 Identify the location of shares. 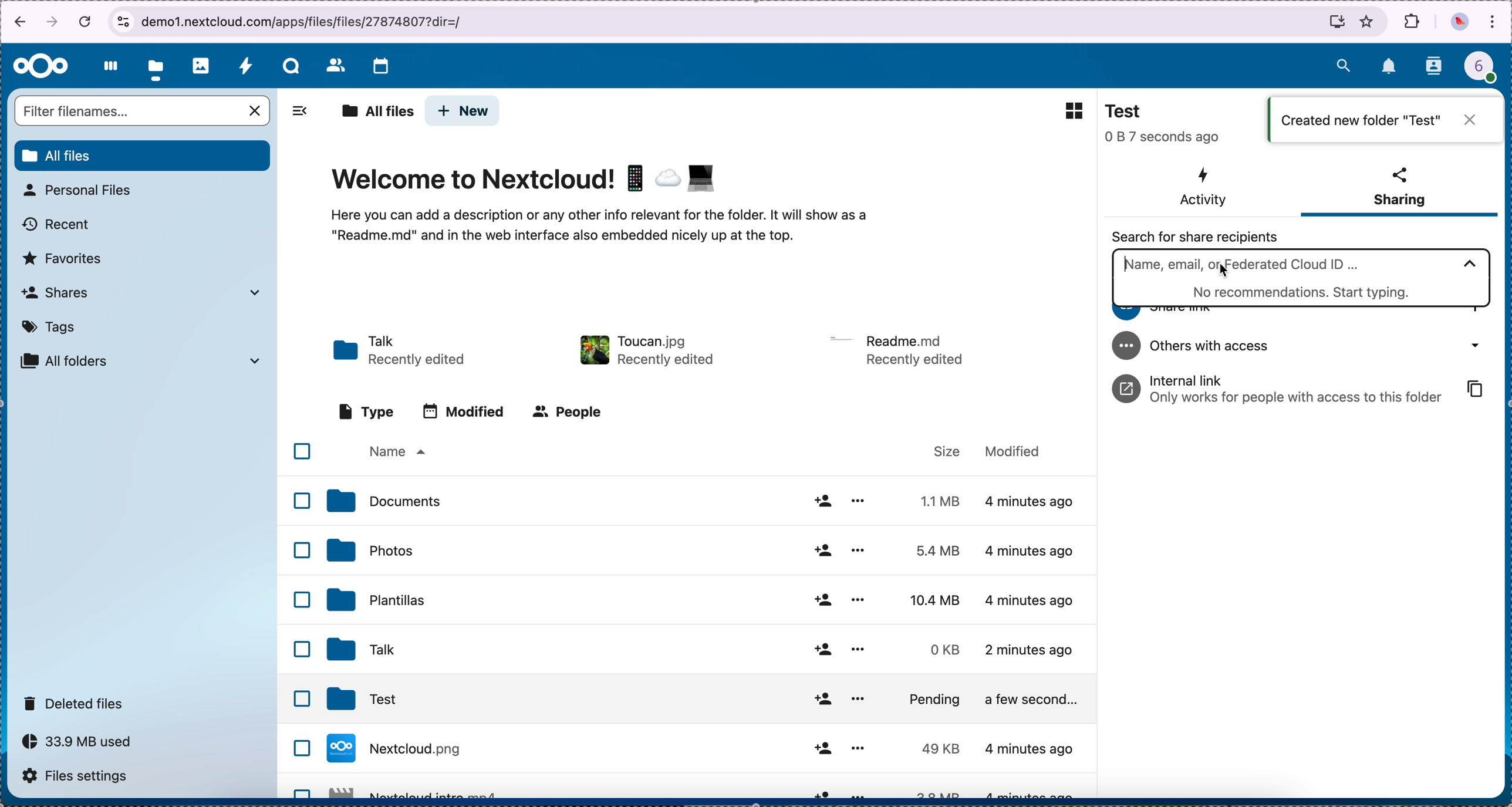
(140, 292).